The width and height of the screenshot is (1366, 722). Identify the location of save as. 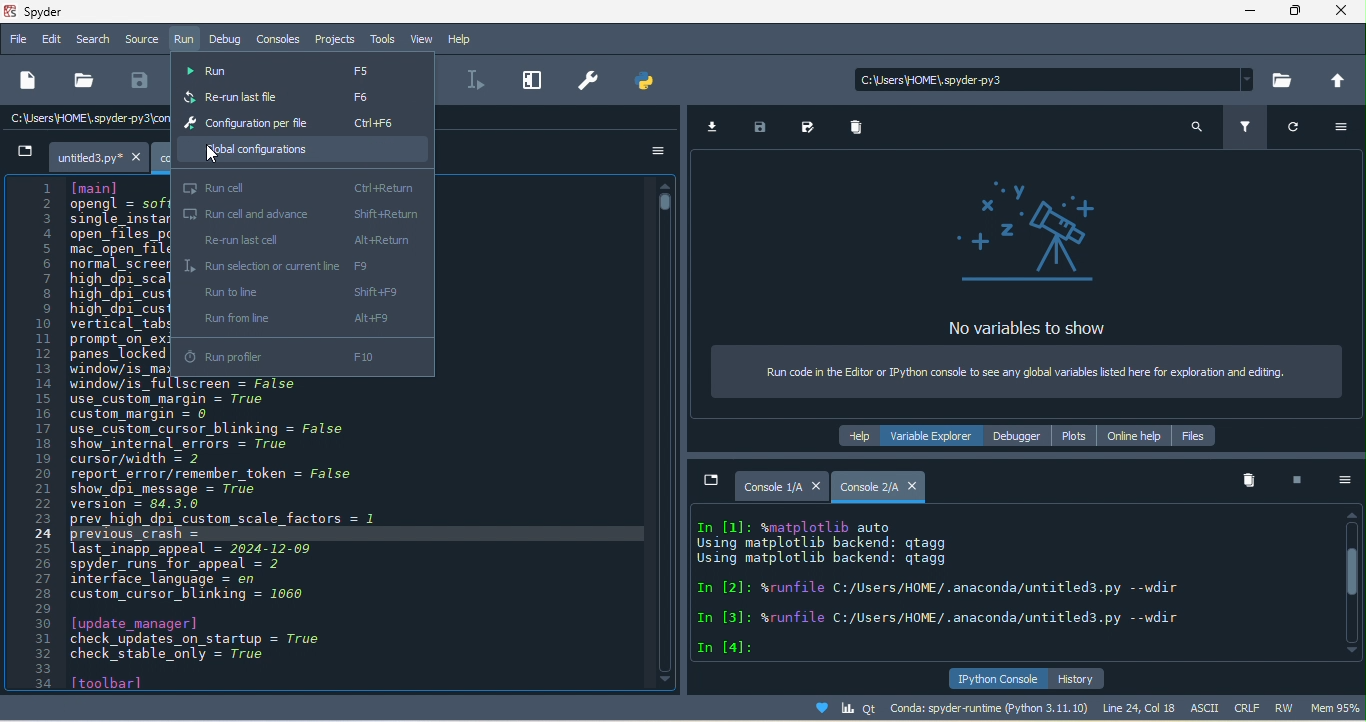
(808, 126).